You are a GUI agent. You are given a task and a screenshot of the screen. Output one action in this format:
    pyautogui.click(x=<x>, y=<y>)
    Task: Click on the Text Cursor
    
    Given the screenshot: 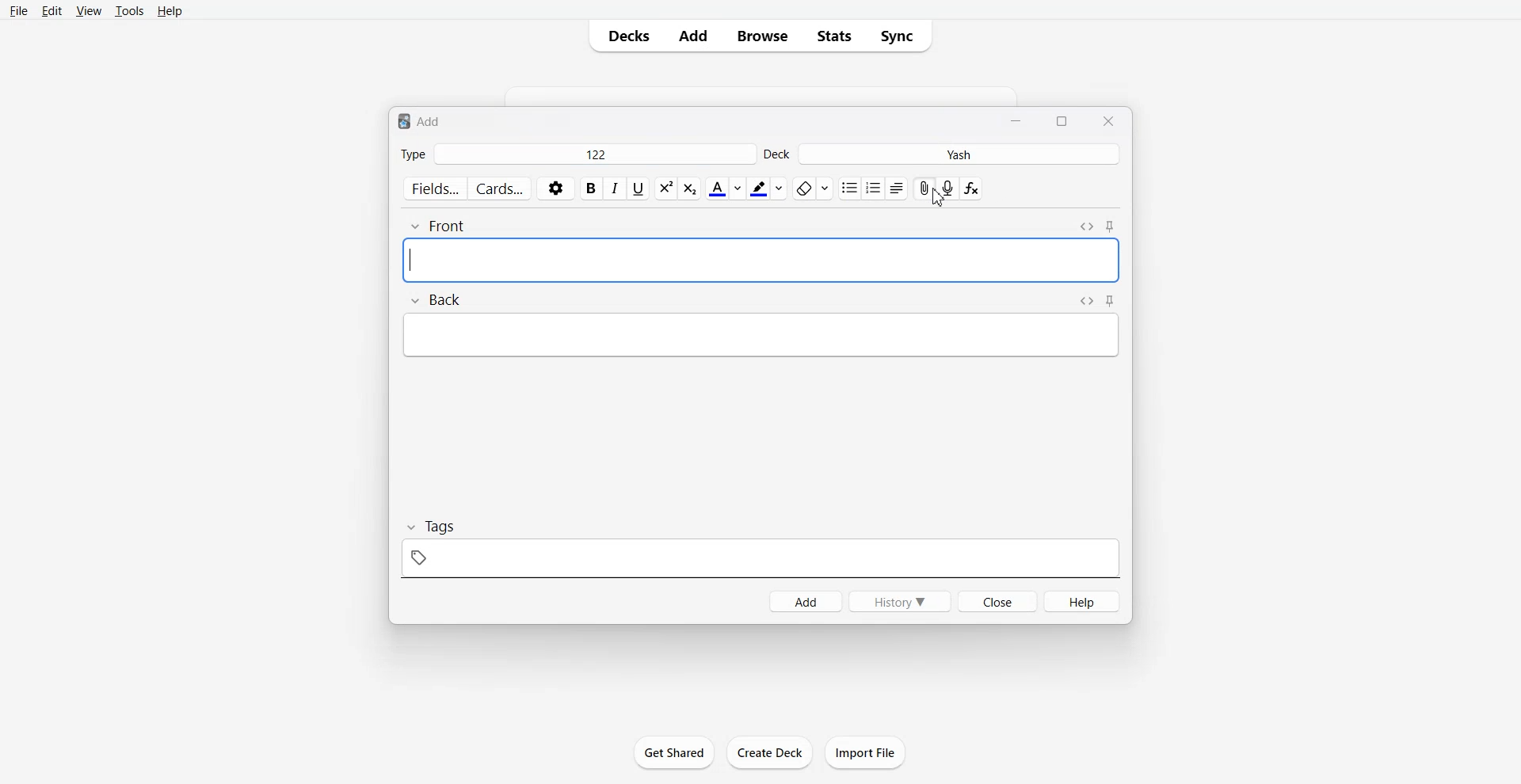 What is the action you would take?
    pyautogui.click(x=760, y=261)
    